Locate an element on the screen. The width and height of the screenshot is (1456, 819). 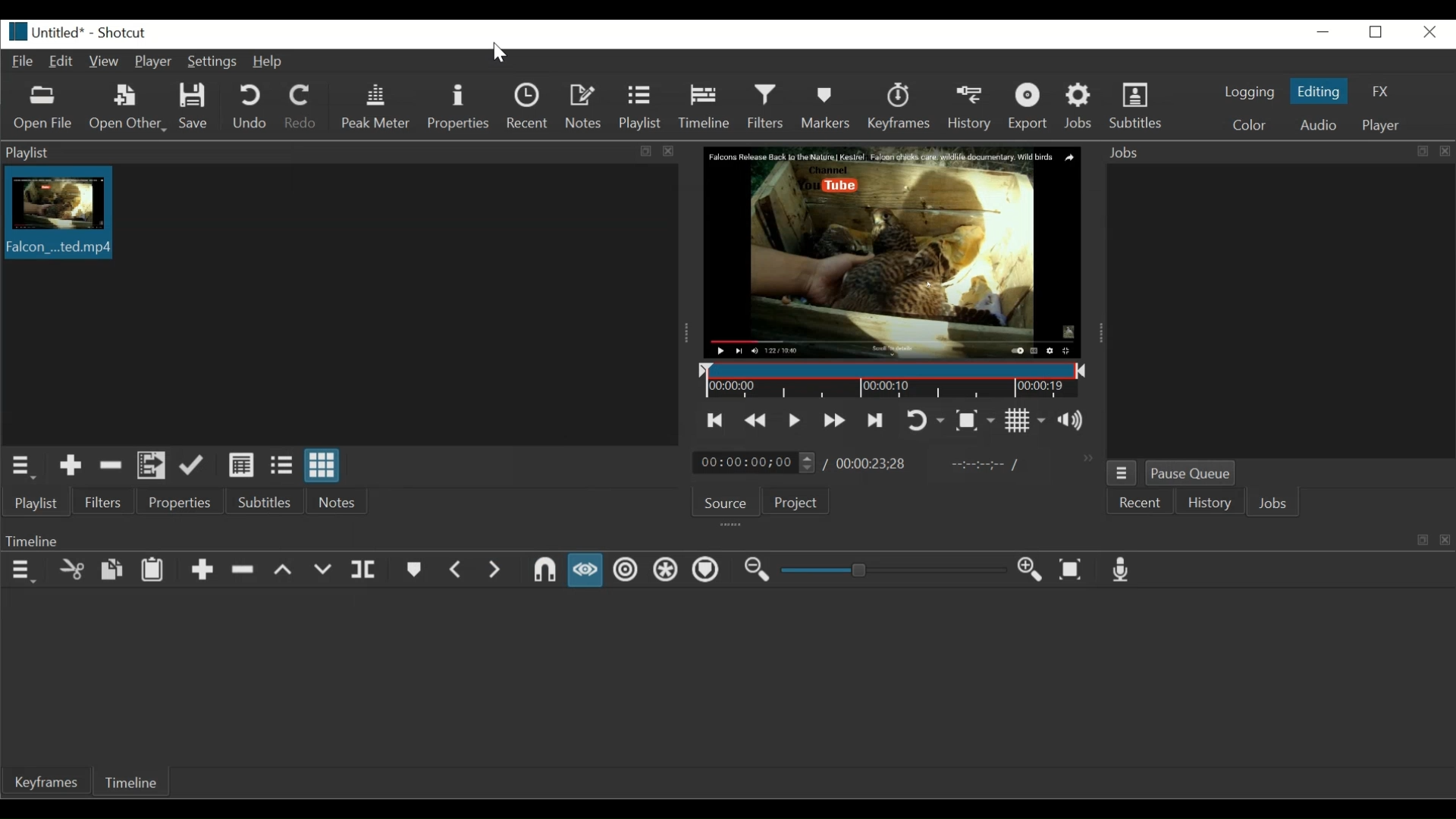
Split at Playhead is located at coordinates (361, 571).